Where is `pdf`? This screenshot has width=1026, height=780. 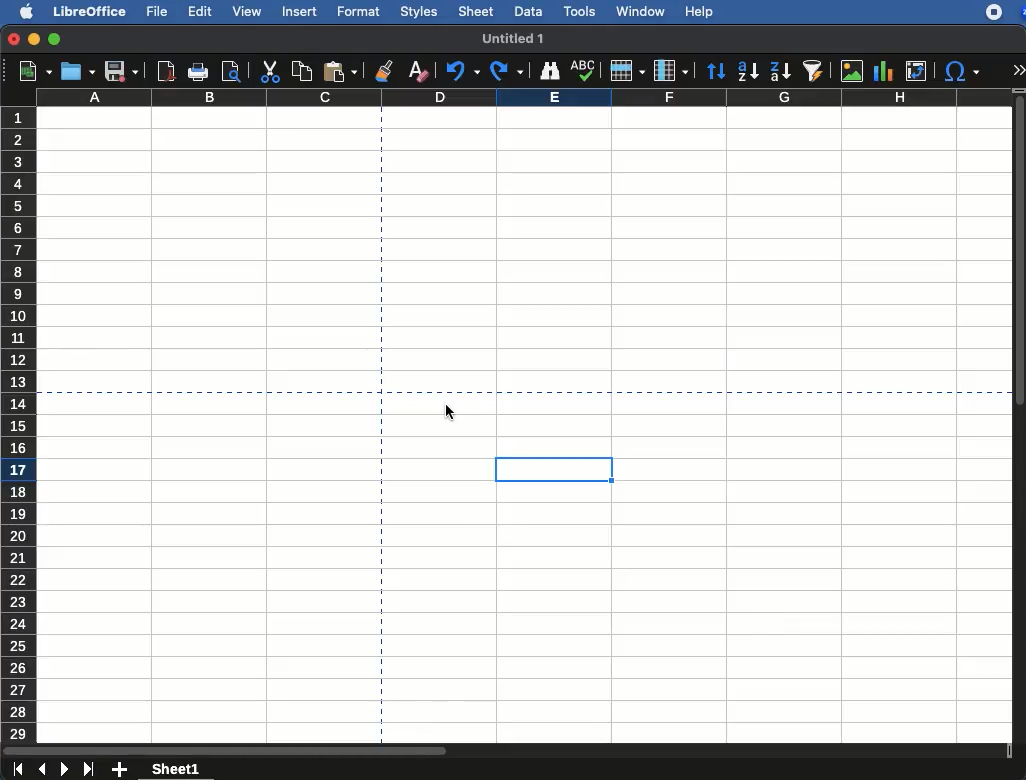 pdf is located at coordinates (166, 71).